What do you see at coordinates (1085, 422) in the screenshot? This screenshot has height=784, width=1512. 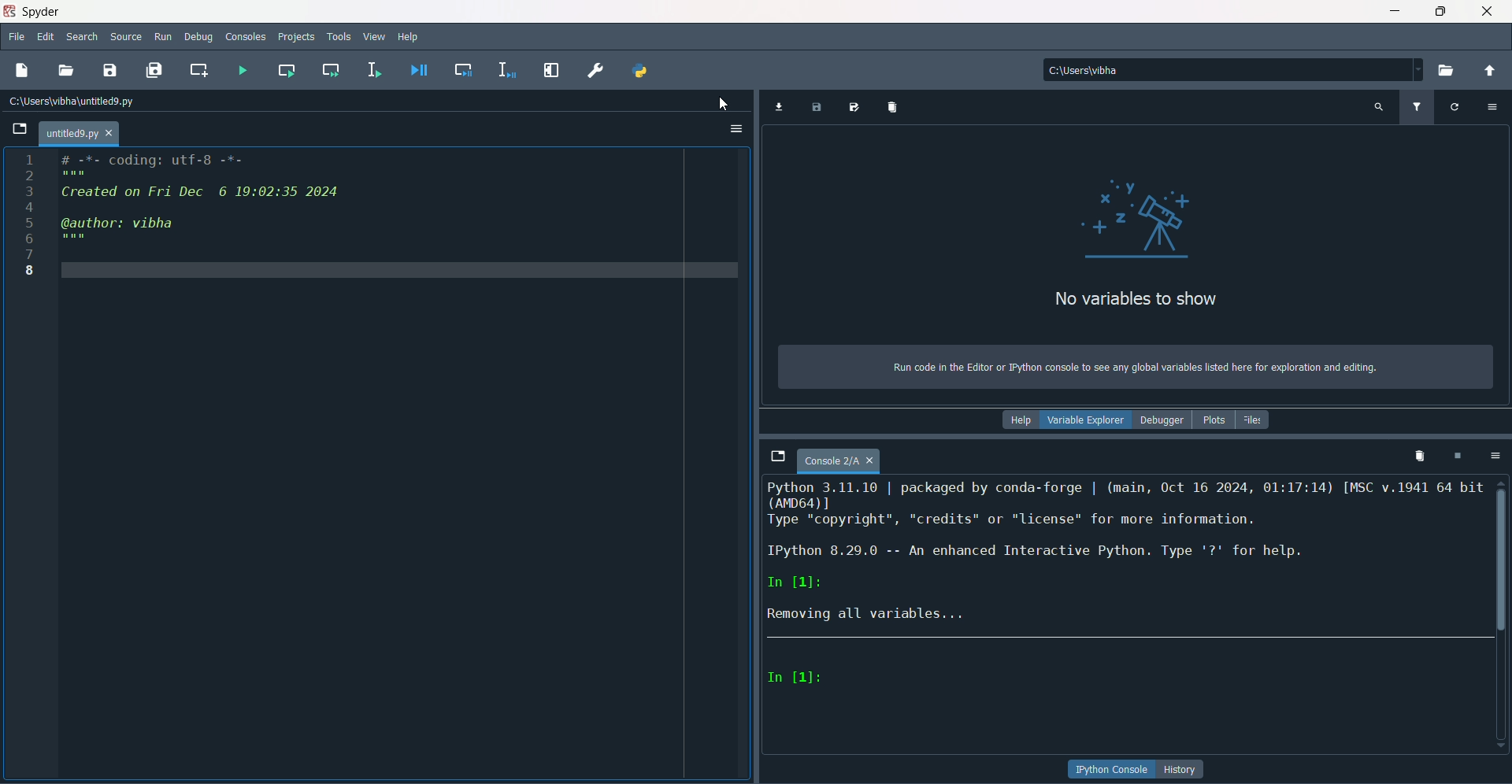 I see `variable explorer` at bounding box center [1085, 422].